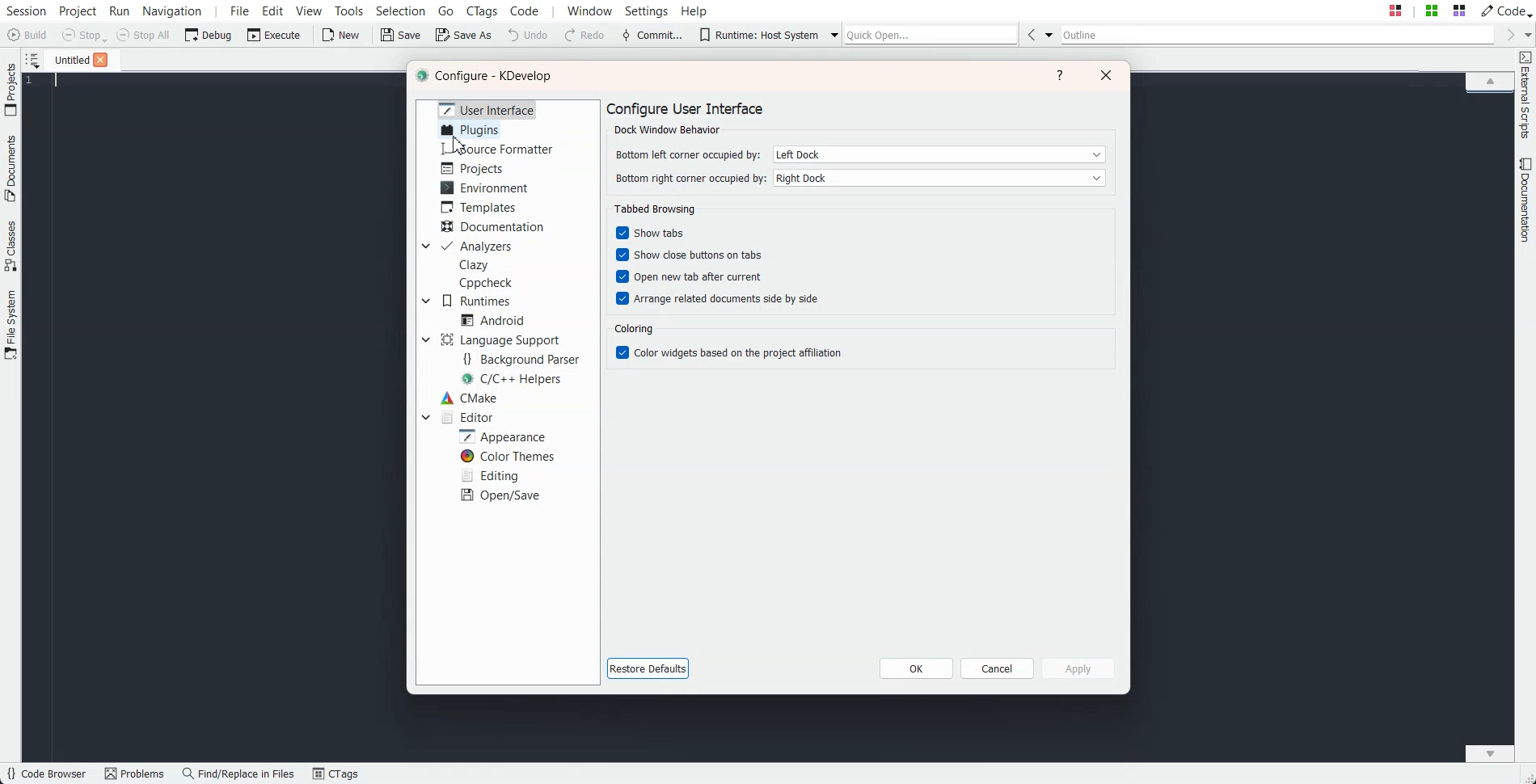 This screenshot has width=1536, height=784. Describe the element at coordinates (1077, 668) in the screenshot. I see `Apply` at that location.